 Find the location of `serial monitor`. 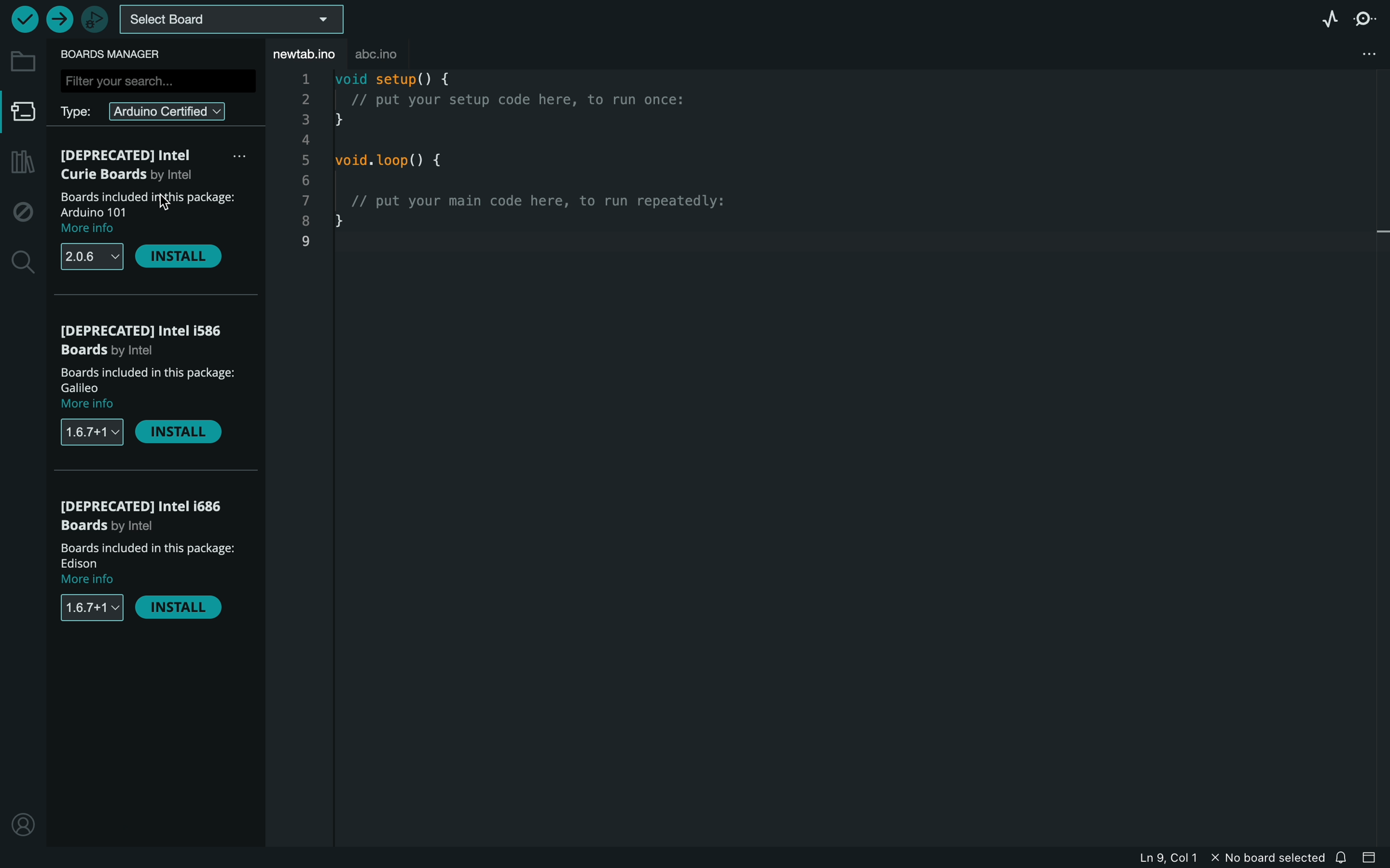

serial monitor is located at coordinates (1364, 19).